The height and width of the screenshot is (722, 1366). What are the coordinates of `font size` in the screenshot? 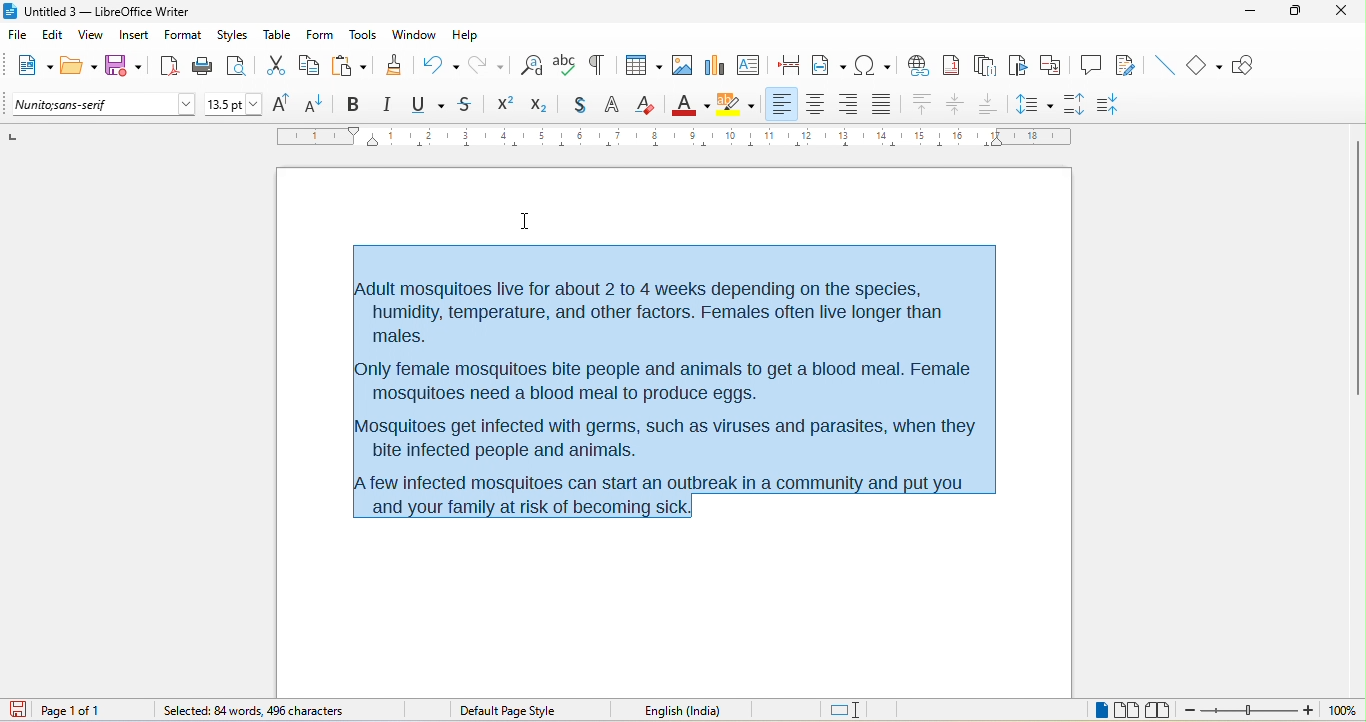 It's located at (234, 105).